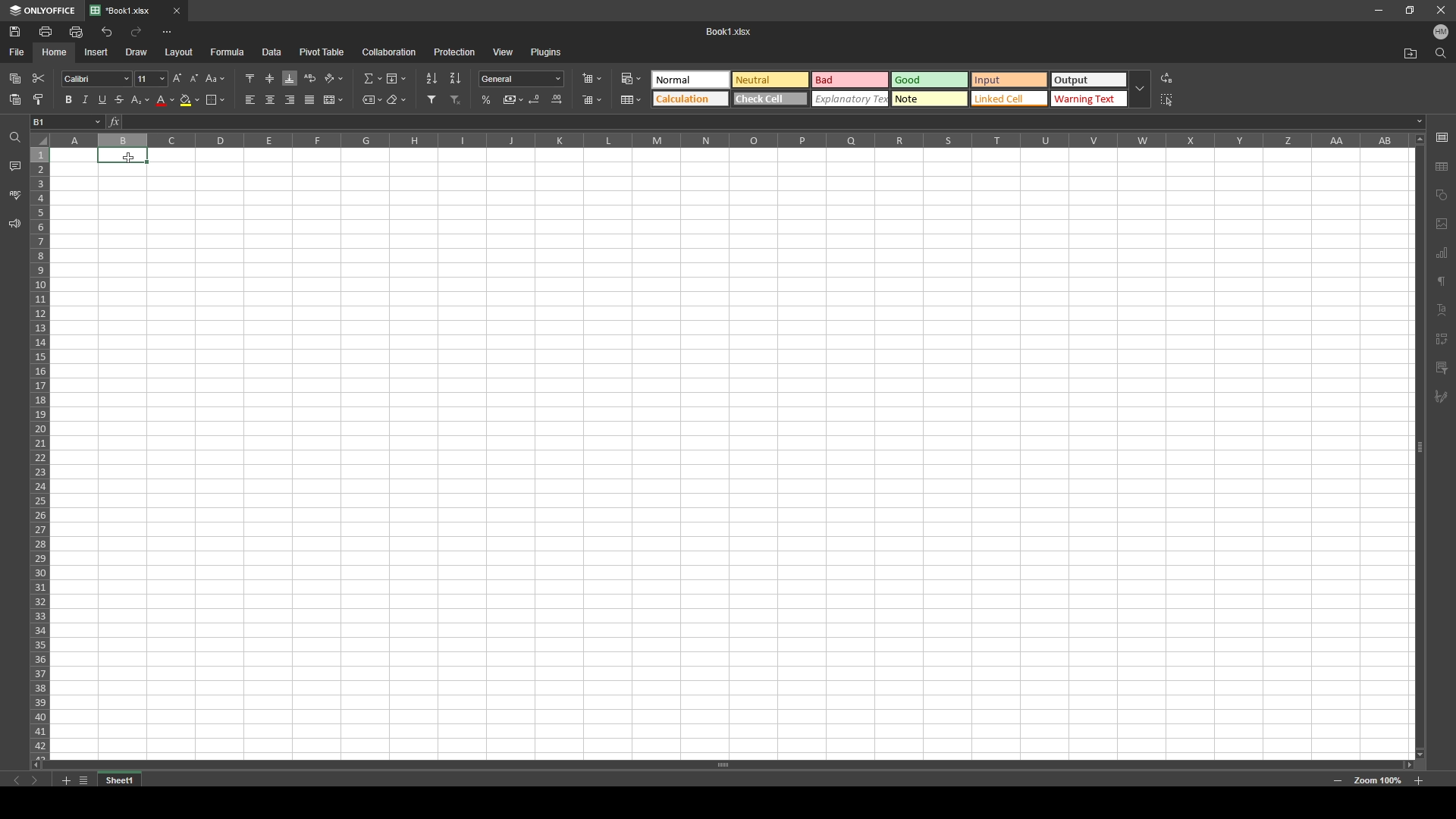 This screenshot has width=1456, height=819. What do you see at coordinates (106, 33) in the screenshot?
I see `undo` at bounding box center [106, 33].